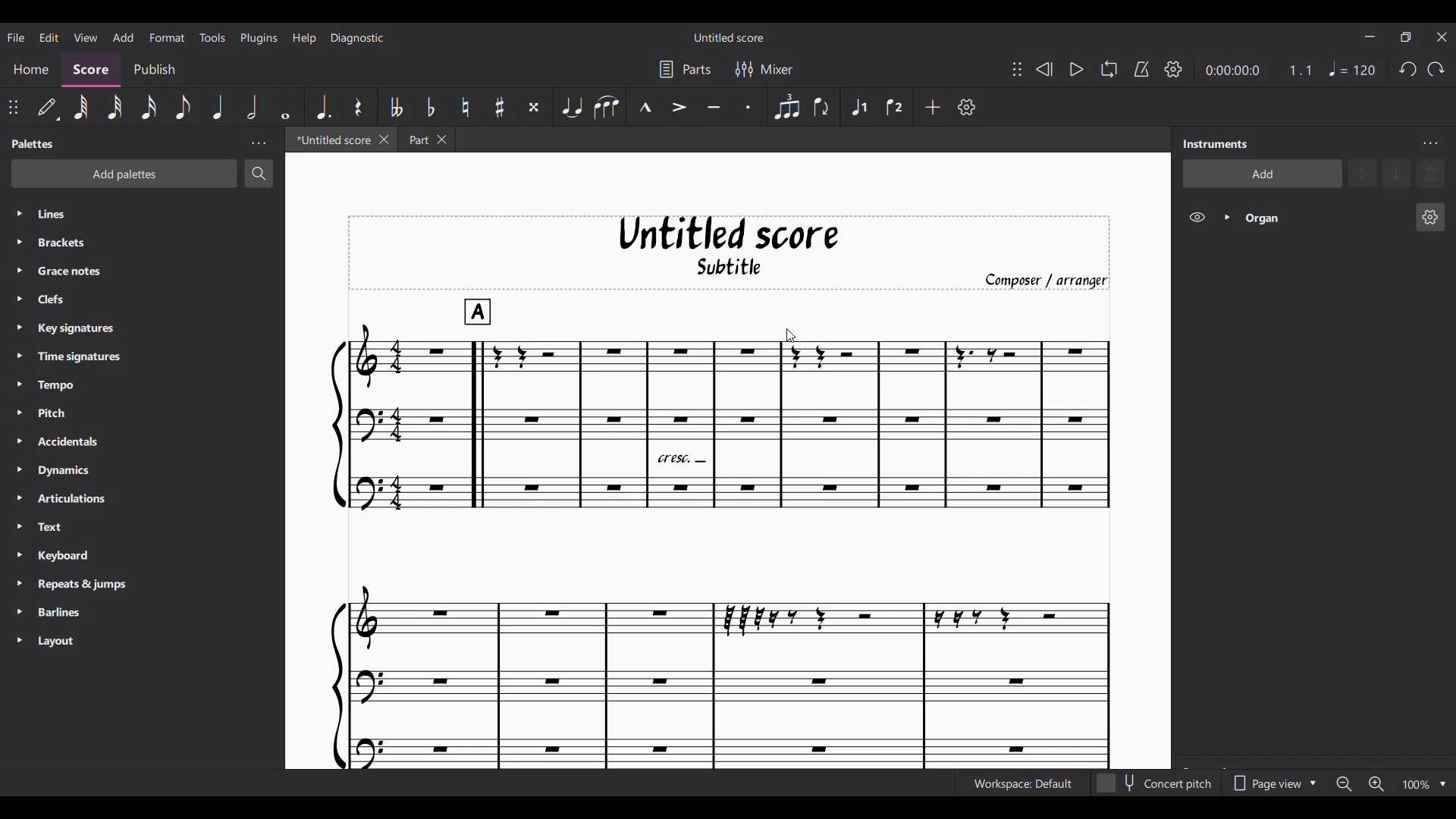 This screenshot has height=819, width=1456. Describe the element at coordinates (284, 107) in the screenshot. I see `Whole note` at that location.